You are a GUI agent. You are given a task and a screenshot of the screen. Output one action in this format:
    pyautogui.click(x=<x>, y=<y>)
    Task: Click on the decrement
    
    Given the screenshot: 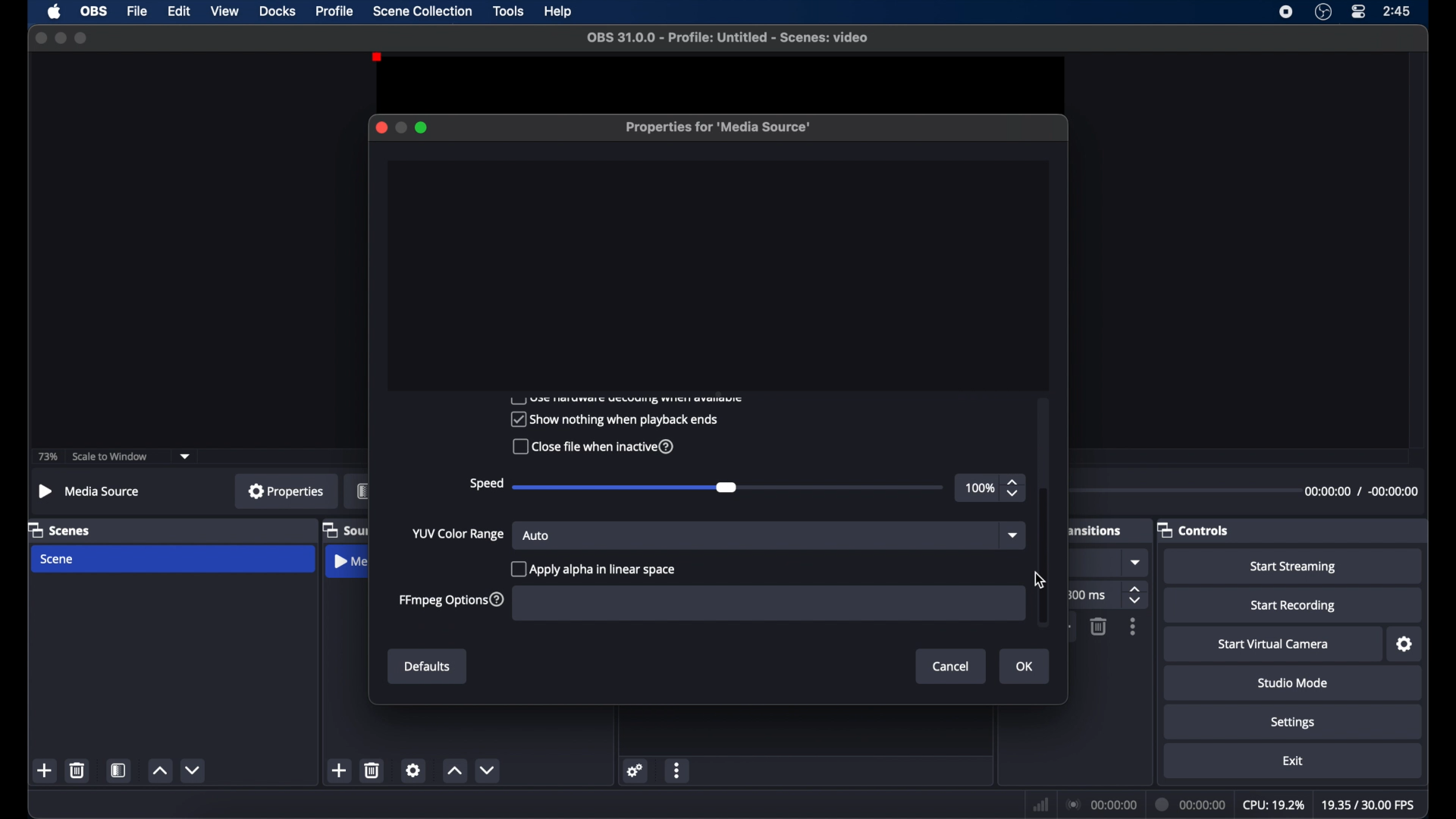 What is the action you would take?
    pyautogui.click(x=491, y=770)
    